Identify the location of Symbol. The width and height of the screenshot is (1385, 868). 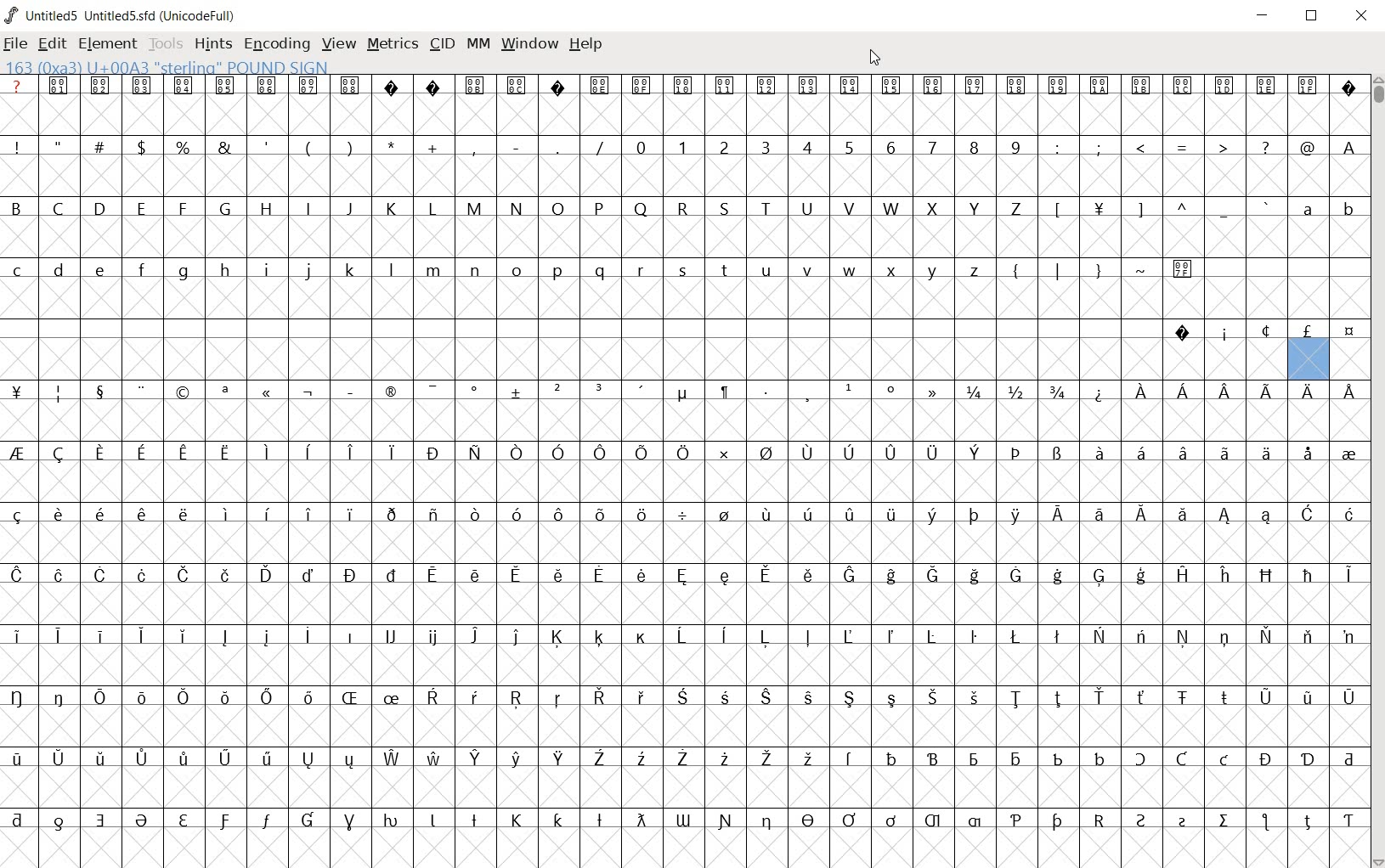
(851, 759).